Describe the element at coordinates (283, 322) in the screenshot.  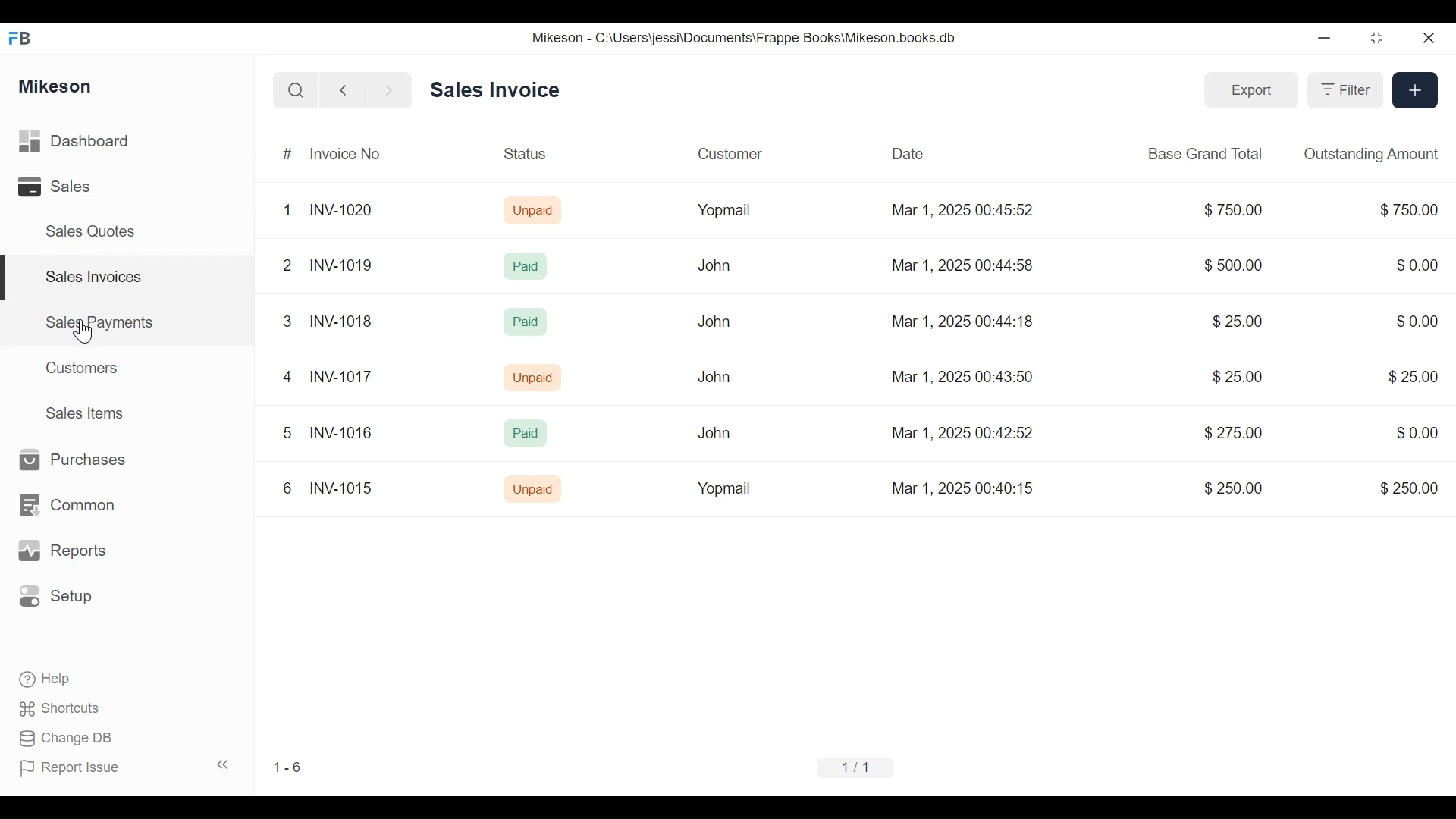
I see `3` at that location.